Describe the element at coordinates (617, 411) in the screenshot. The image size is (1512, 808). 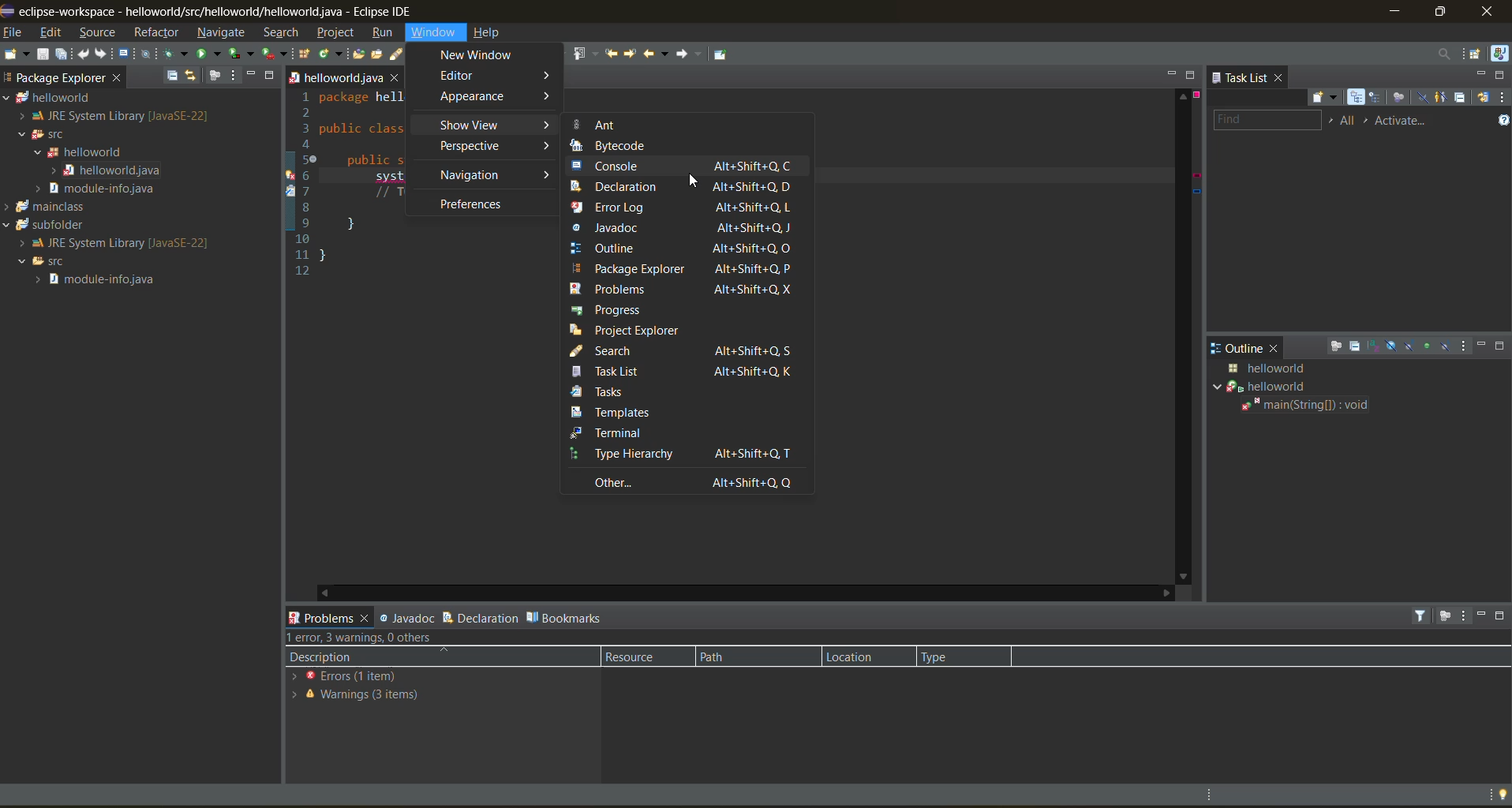
I see `templates` at that location.